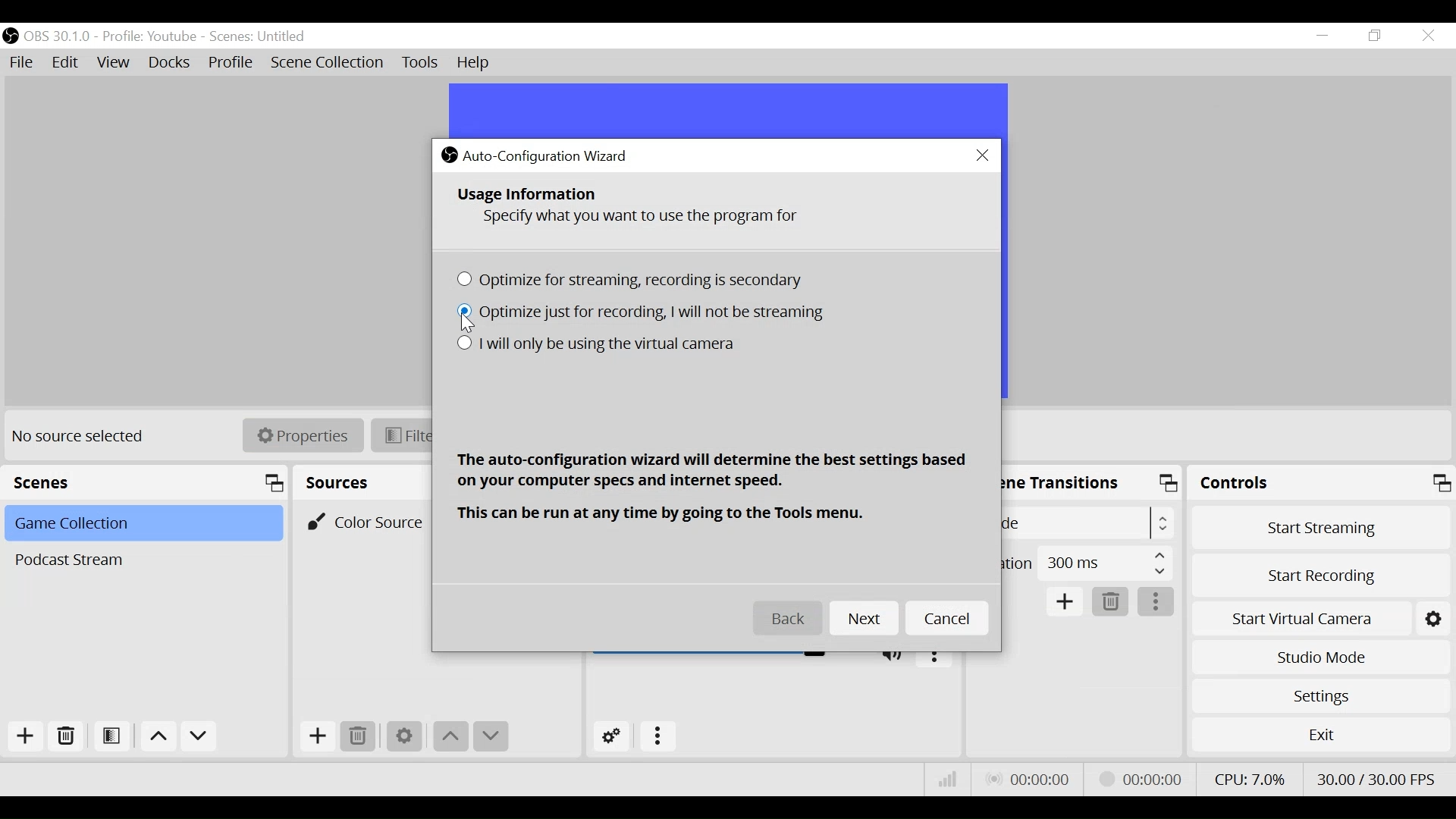 The image size is (1456, 819). I want to click on Remove, so click(64, 736).